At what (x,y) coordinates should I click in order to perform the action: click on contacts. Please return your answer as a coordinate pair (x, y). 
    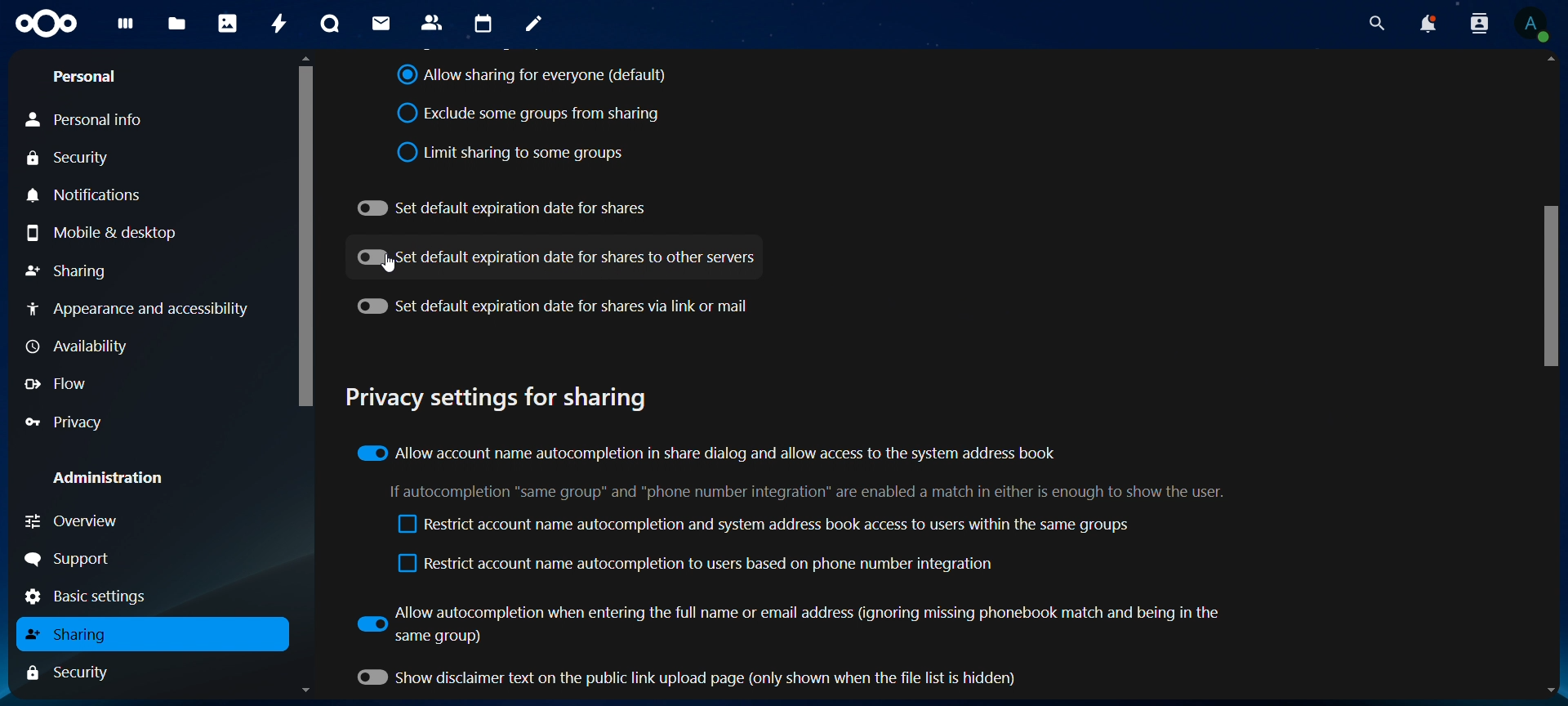
    Looking at the image, I should click on (431, 22).